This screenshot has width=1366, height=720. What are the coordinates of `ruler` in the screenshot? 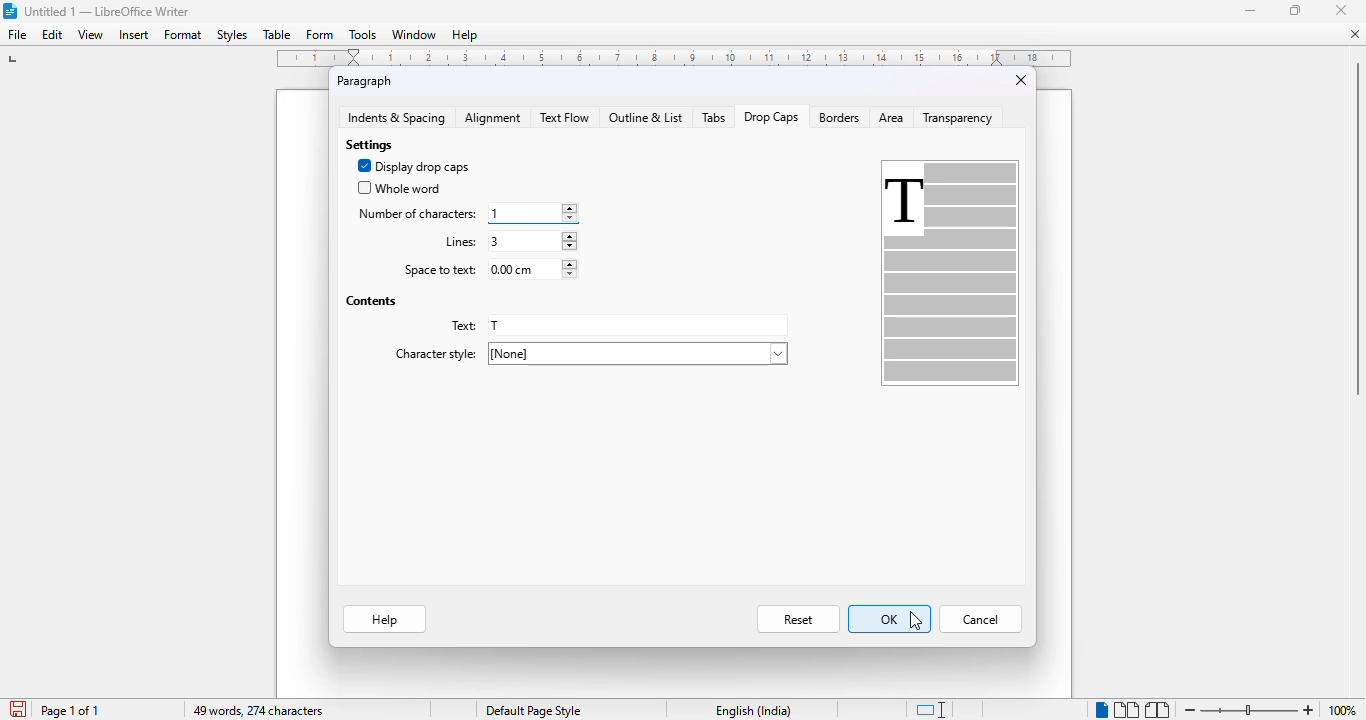 It's located at (675, 59).